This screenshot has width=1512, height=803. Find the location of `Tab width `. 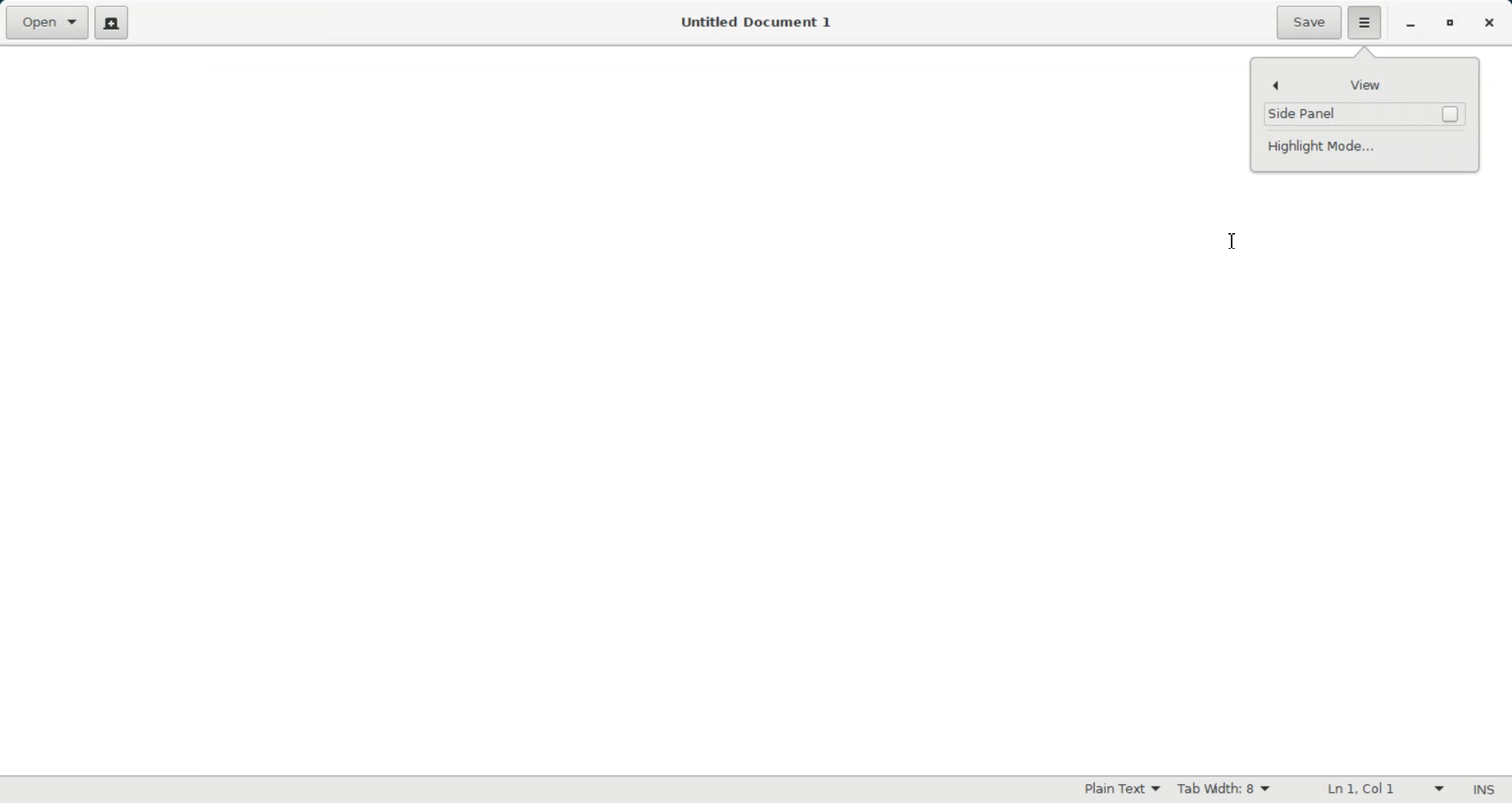

Tab width  is located at coordinates (1222, 789).